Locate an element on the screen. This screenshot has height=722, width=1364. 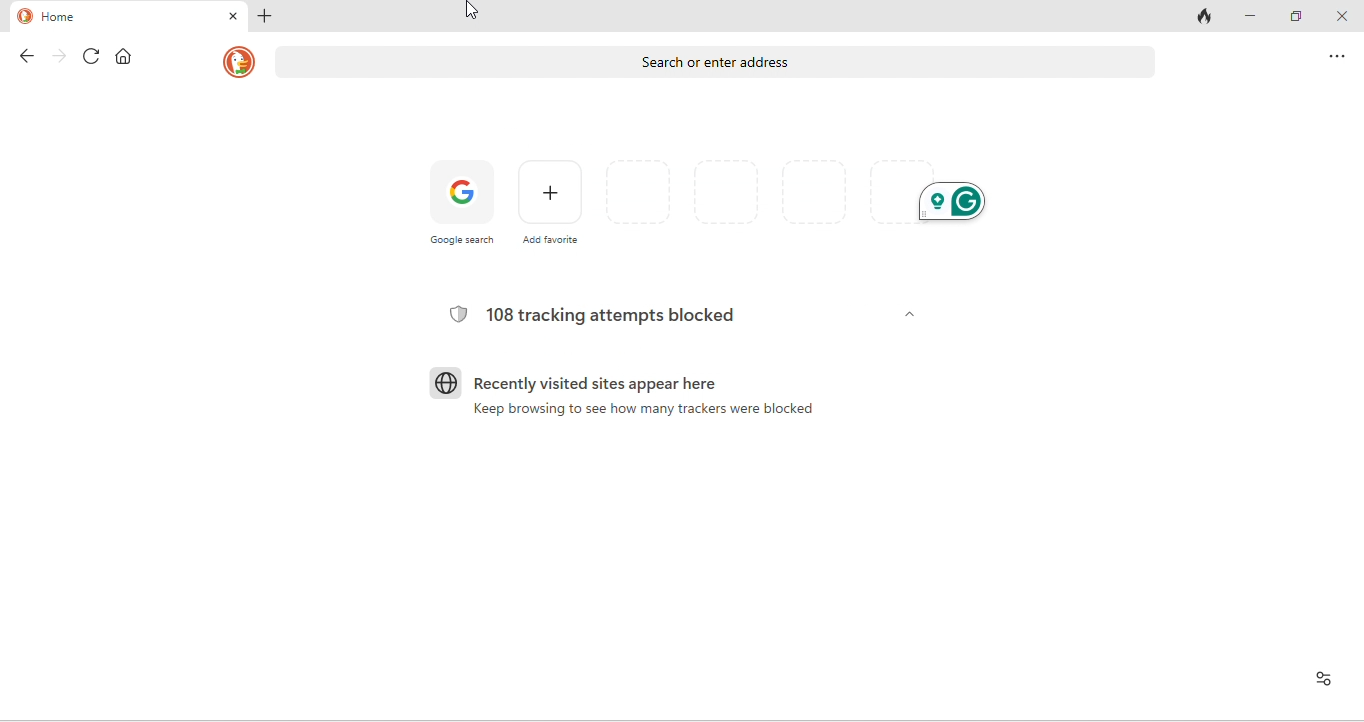
recently visited sites appear here is located at coordinates (647, 380).